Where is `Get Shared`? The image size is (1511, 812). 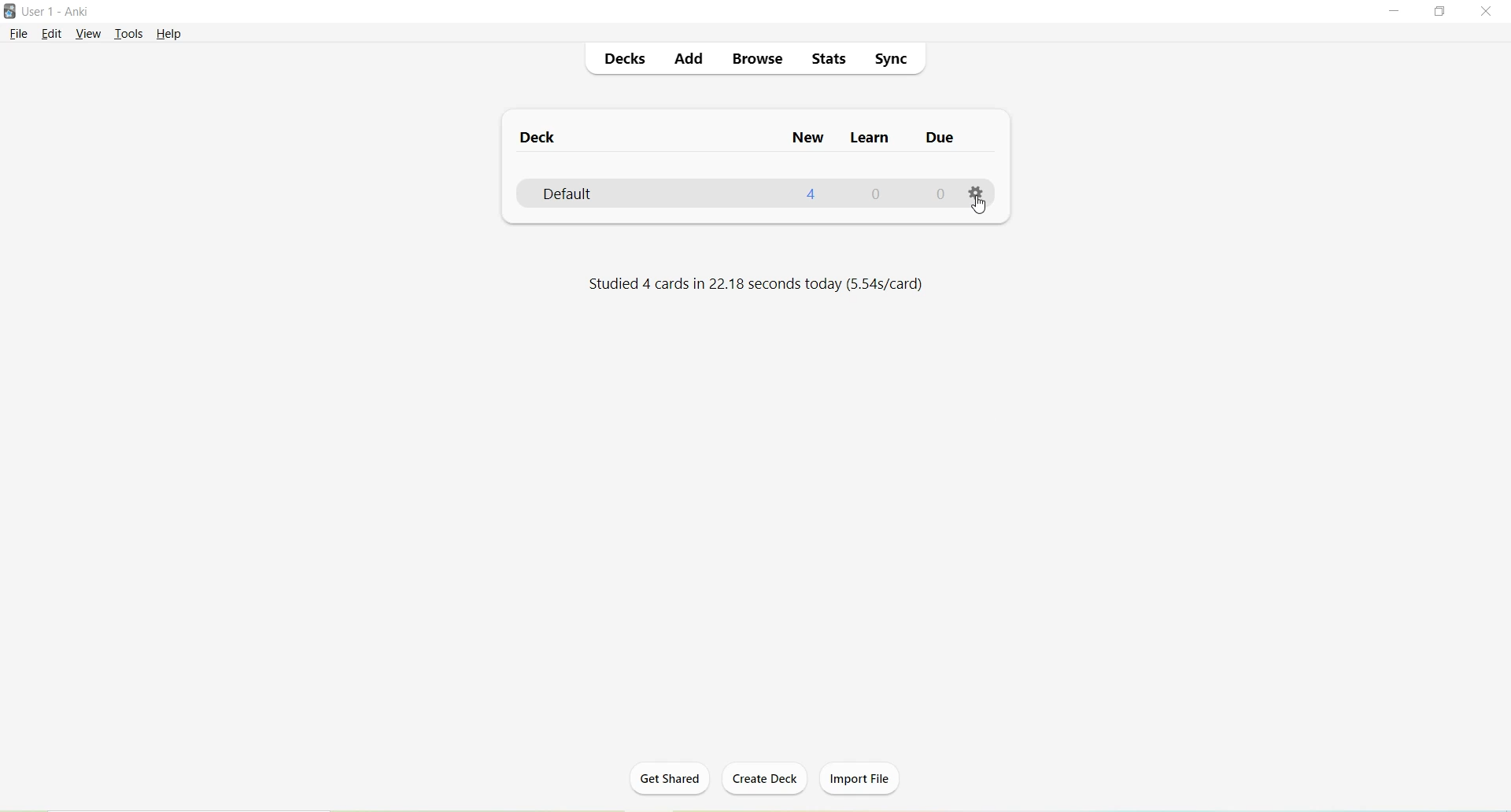 Get Shared is located at coordinates (667, 783).